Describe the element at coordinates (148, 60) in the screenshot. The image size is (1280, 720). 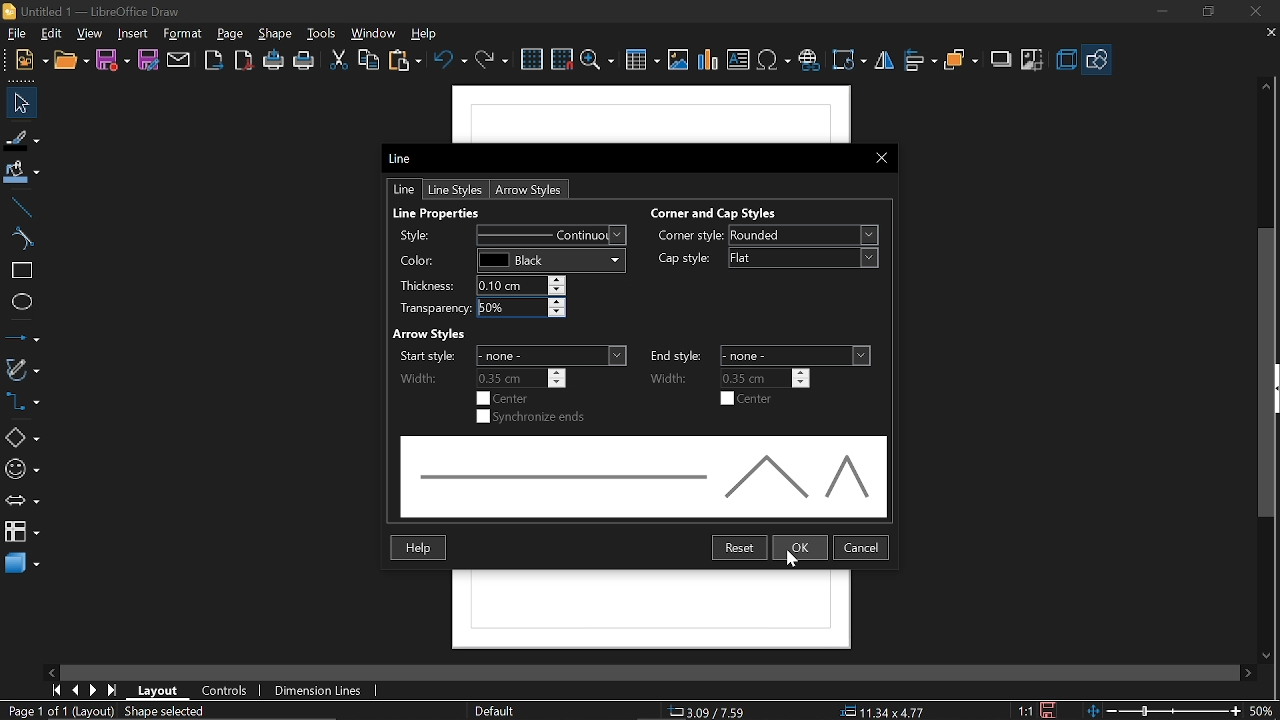
I see `save as` at that location.